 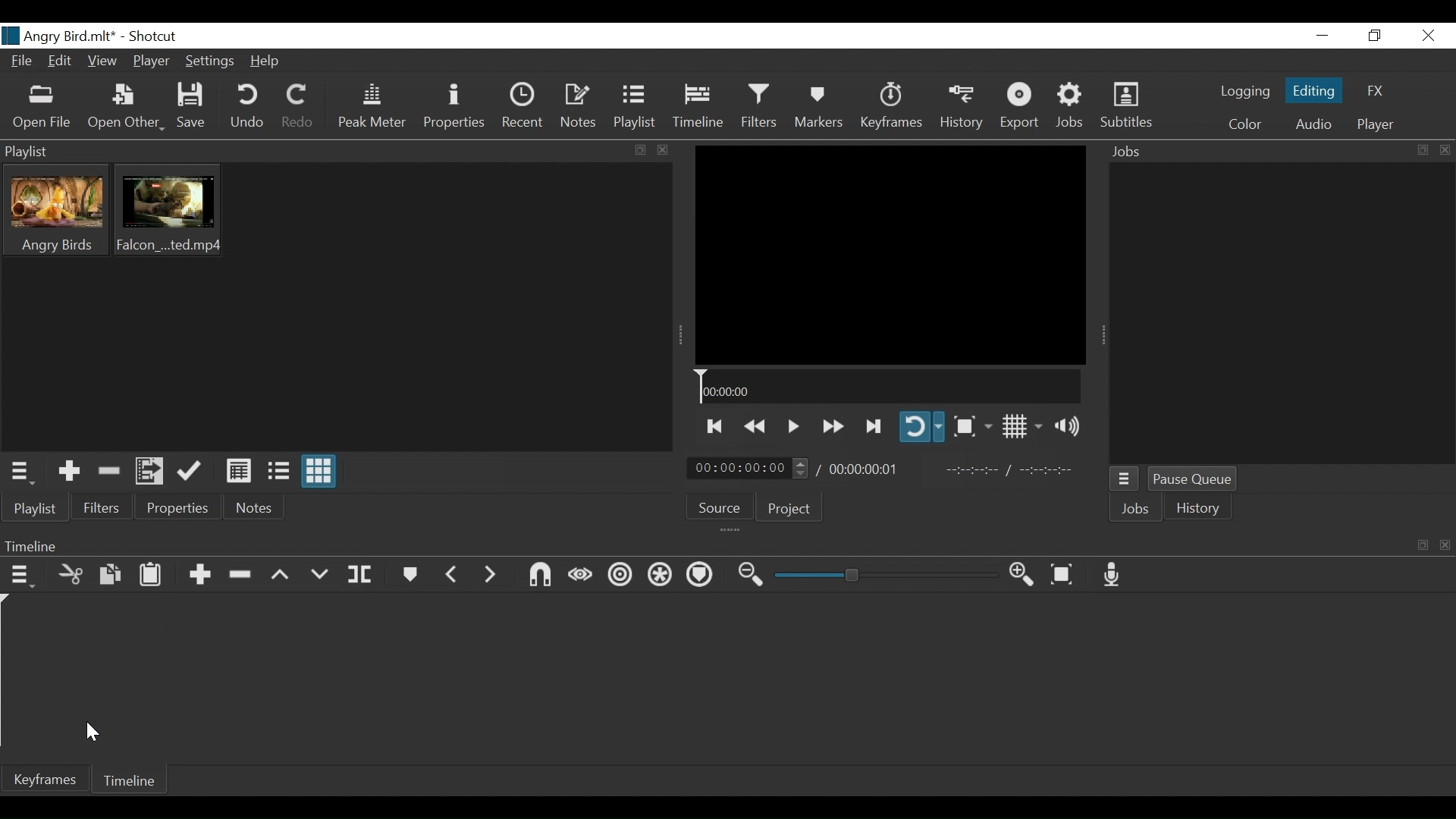 I want to click on Add the Source to the playlist, so click(x=67, y=471).